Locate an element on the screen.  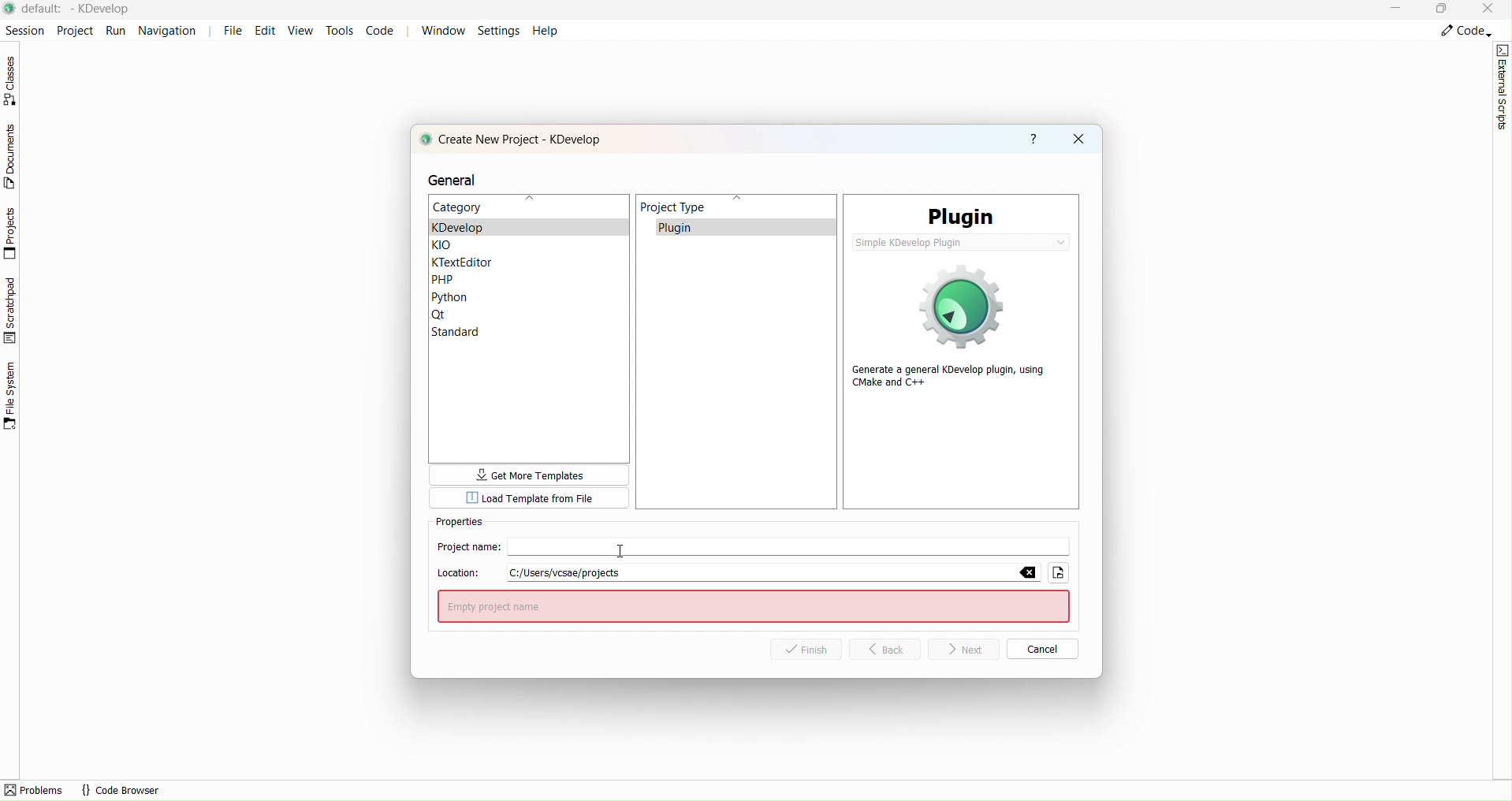
Ktexteditor is located at coordinates (463, 261).